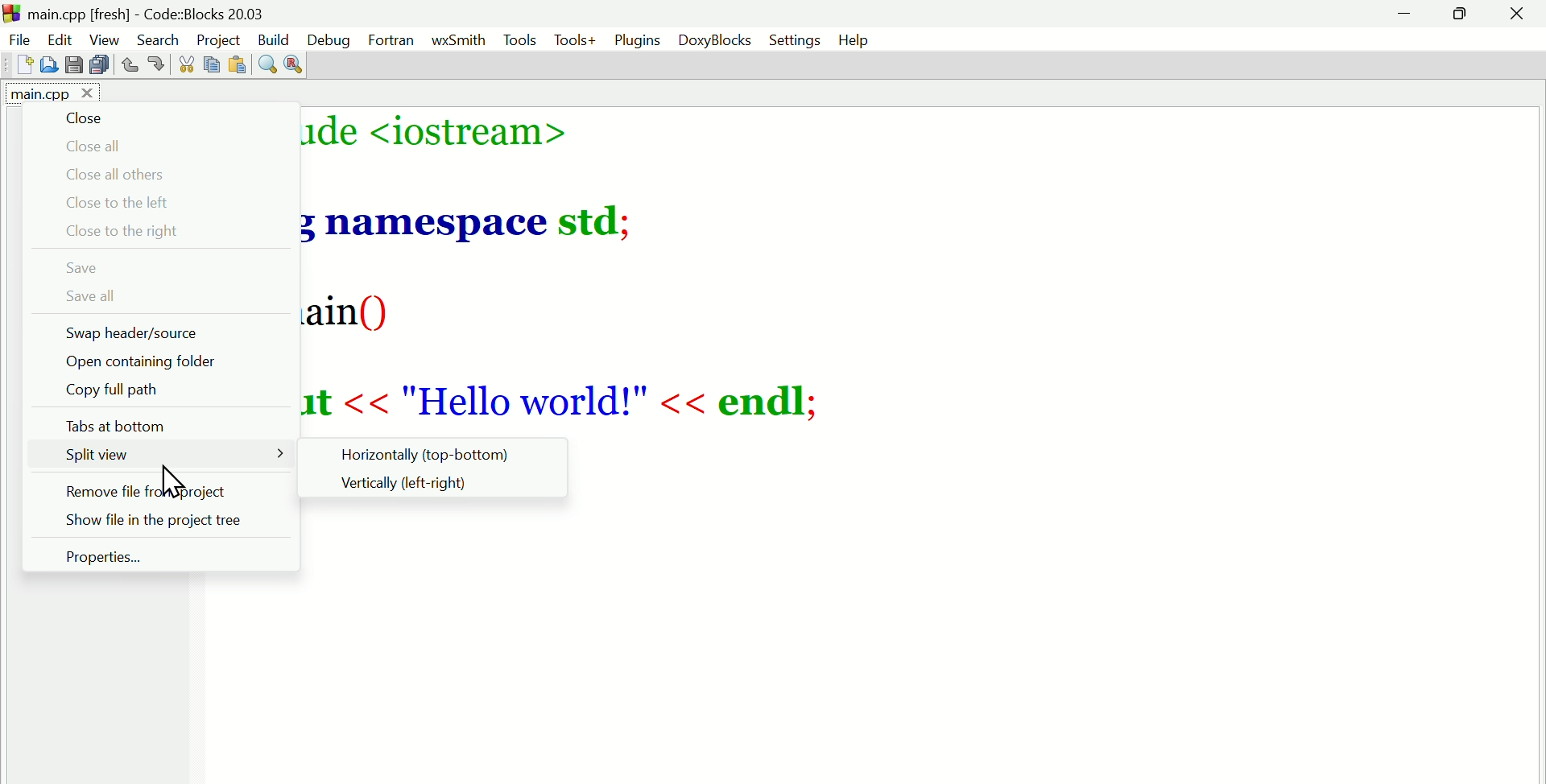  Describe the element at coordinates (96, 66) in the screenshot. I see `Save all` at that location.